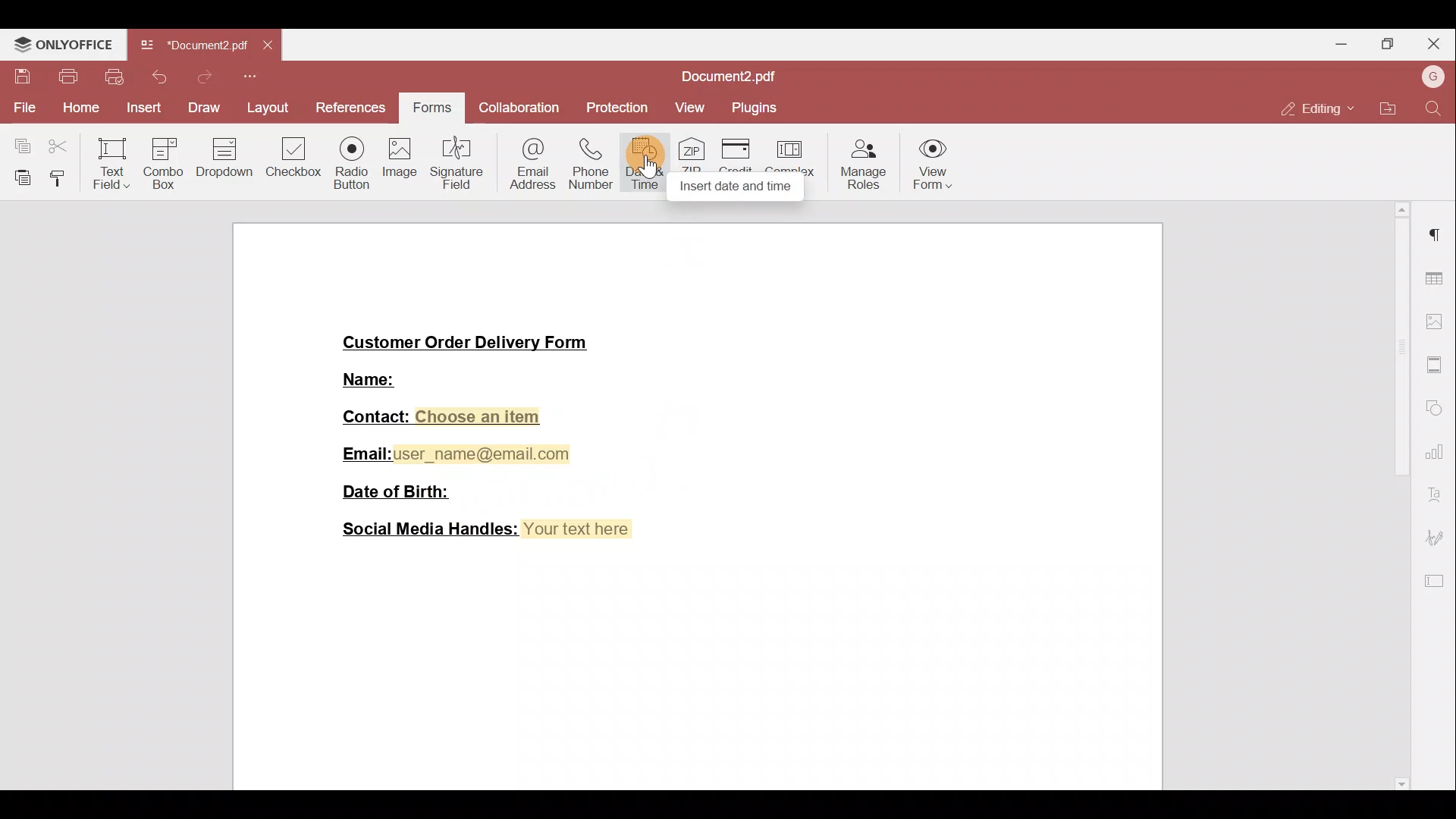  What do you see at coordinates (1389, 42) in the screenshot?
I see `Maximise` at bounding box center [1389, 42].